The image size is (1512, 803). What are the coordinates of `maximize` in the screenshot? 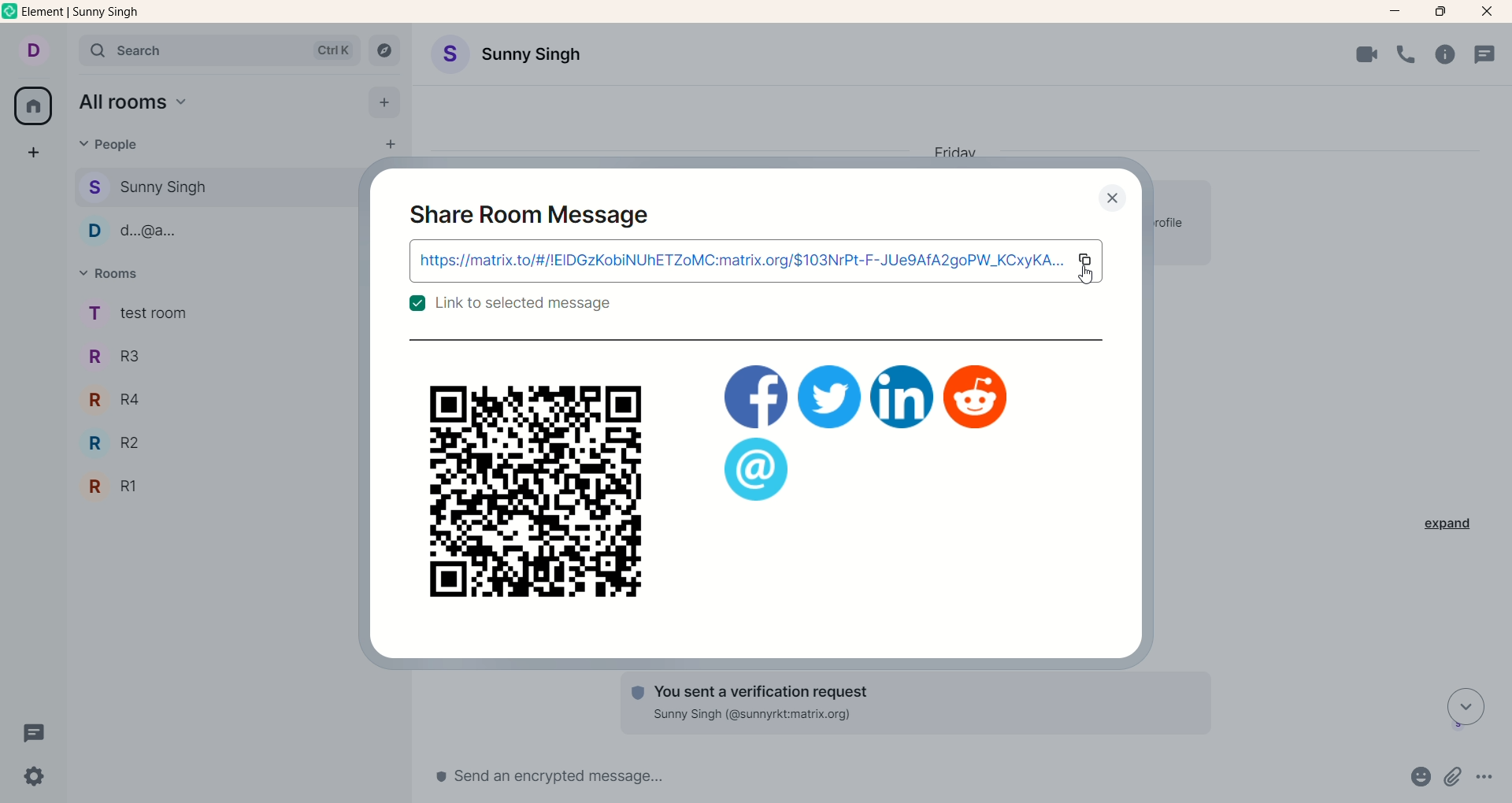 It's located at (1438, 12).